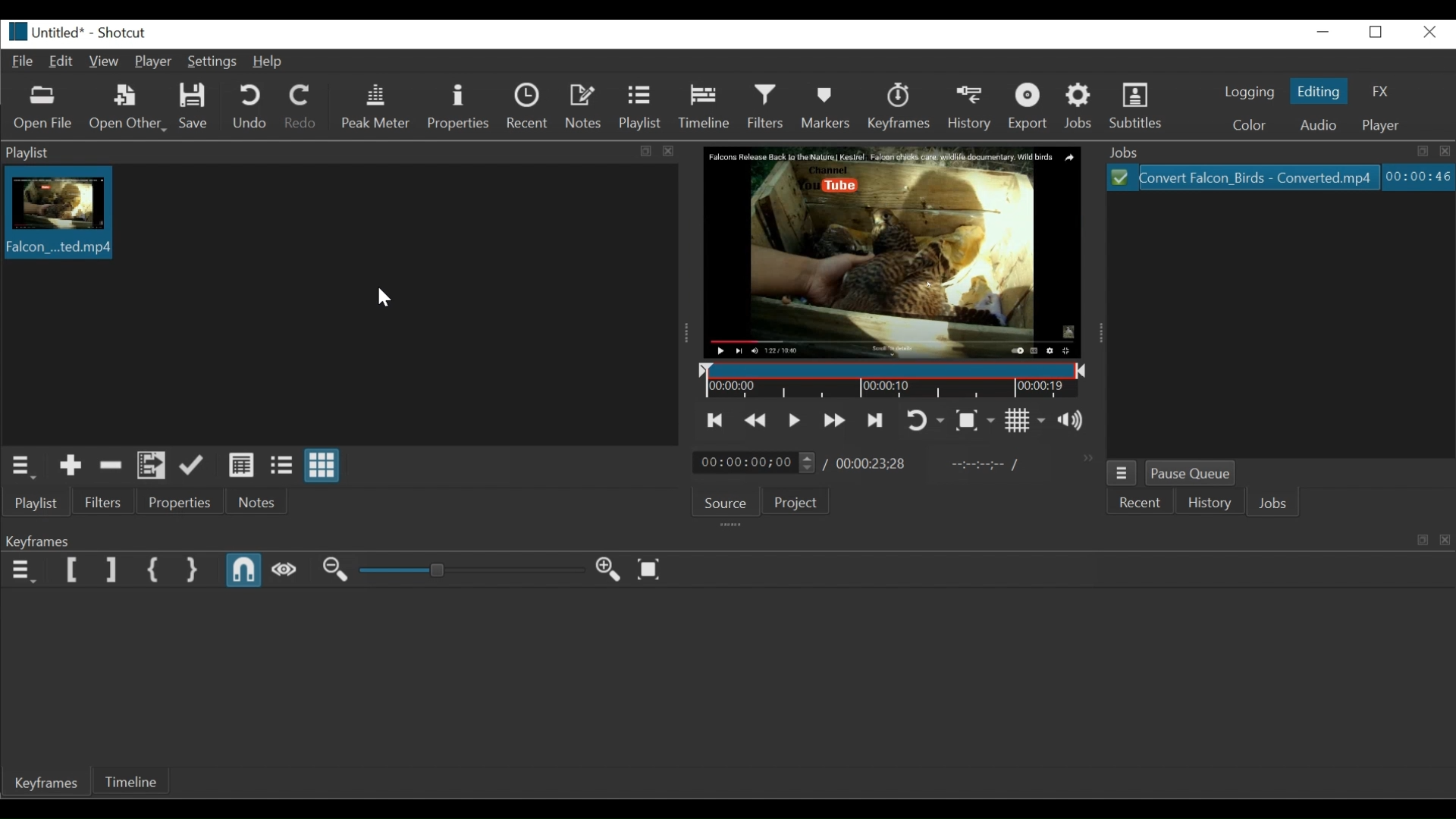 This screenshot has height=819, width=1456. What do you see at coordinates (795, 419) in the screenshot?
I see `Toggle play or pause` at bounding box center [795, 419].